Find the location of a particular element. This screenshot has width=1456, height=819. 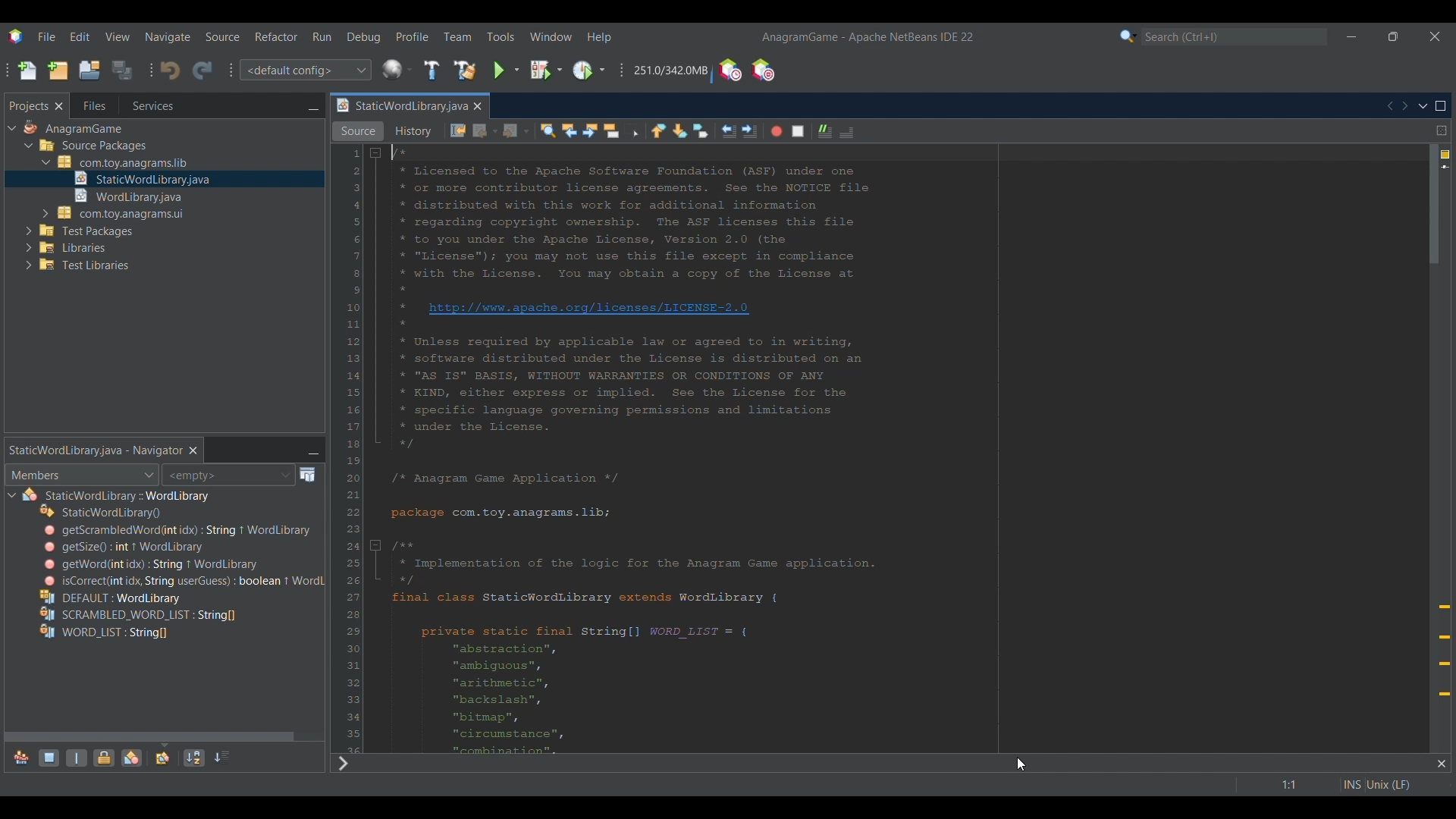

Pause I/O checks is located at coordinates (762, 70).